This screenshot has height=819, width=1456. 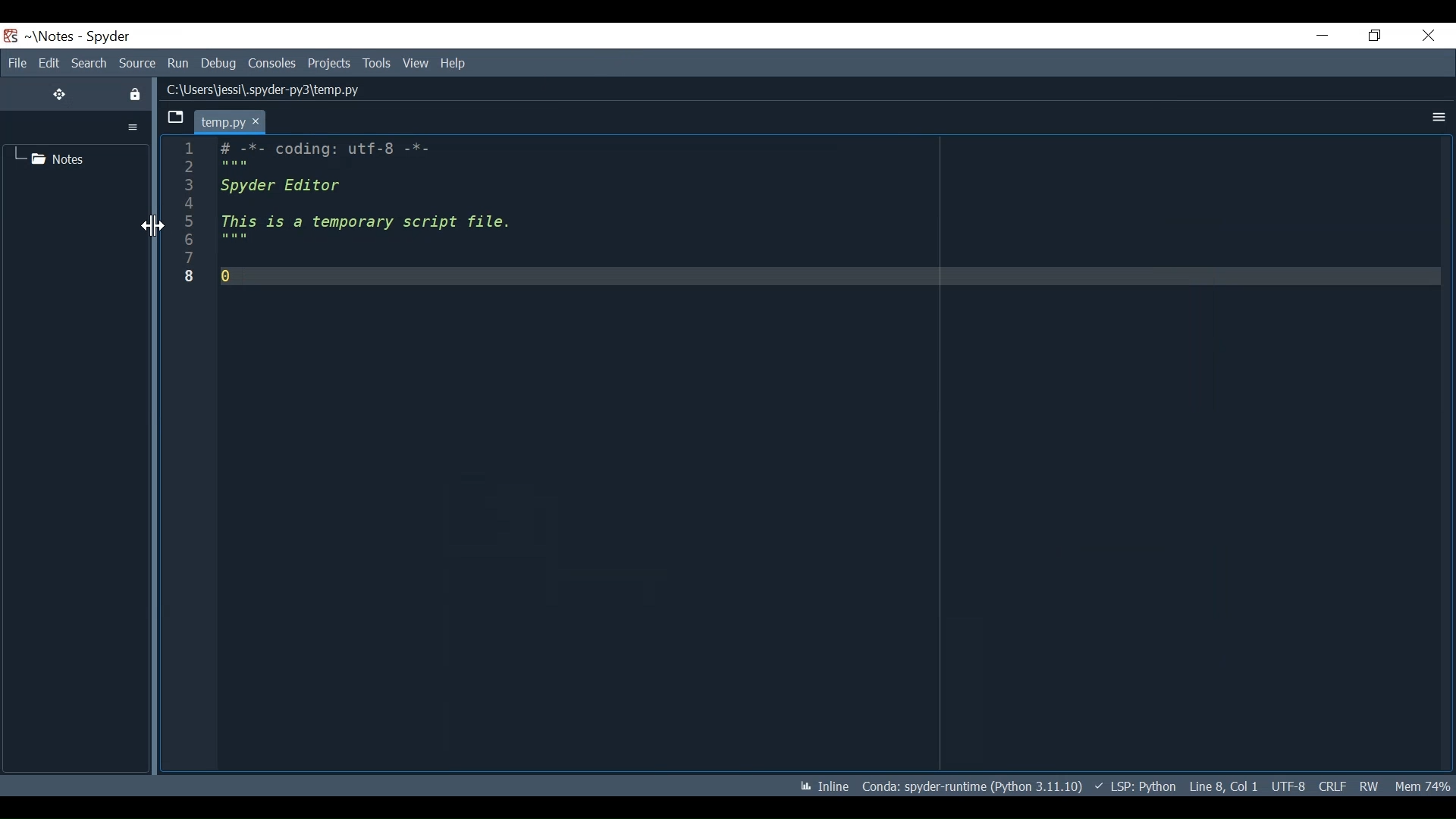 I want to click on line number, so click(x=192, y=215).